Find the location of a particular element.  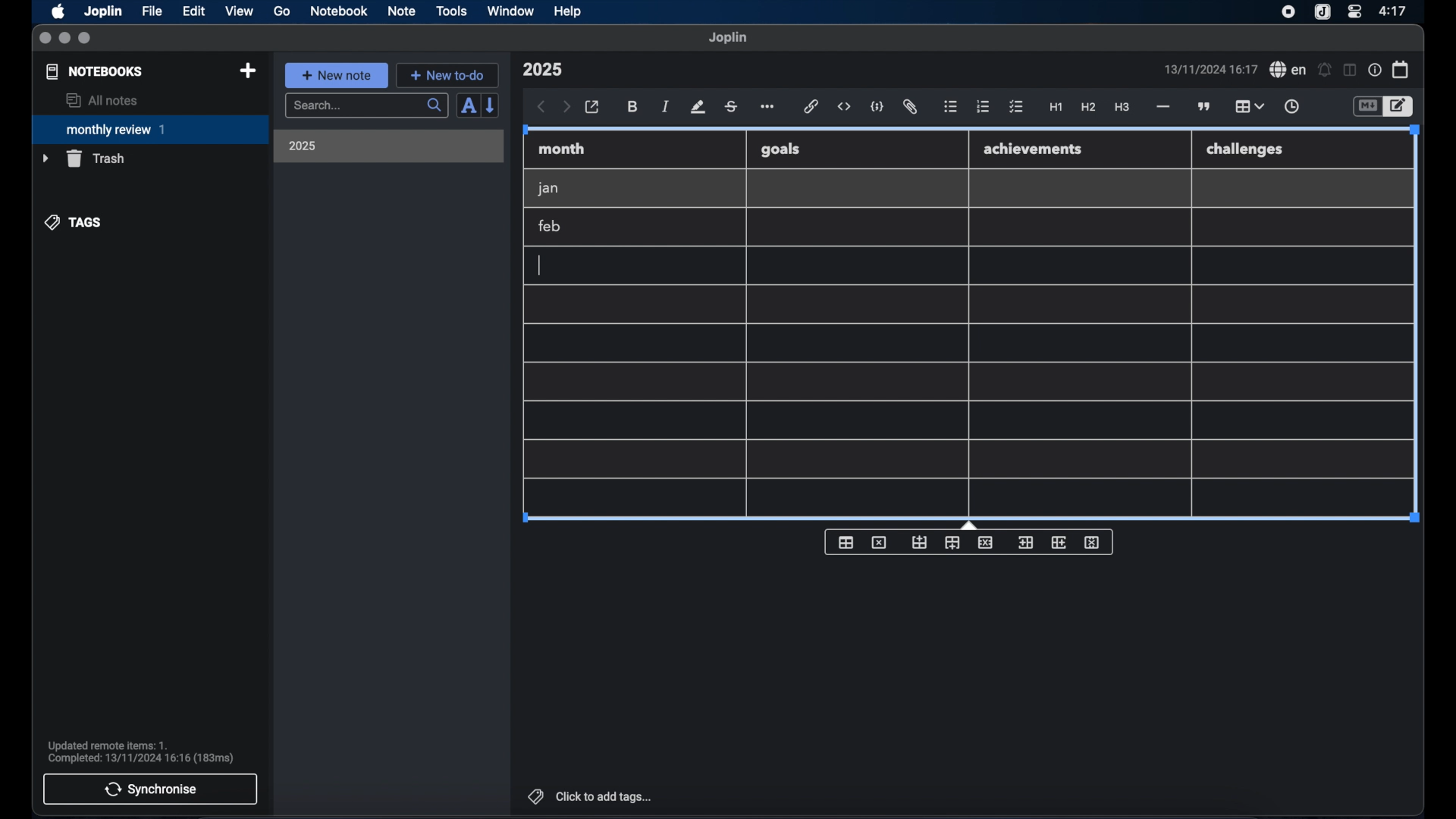

trash is located at coordinates (83, 158).